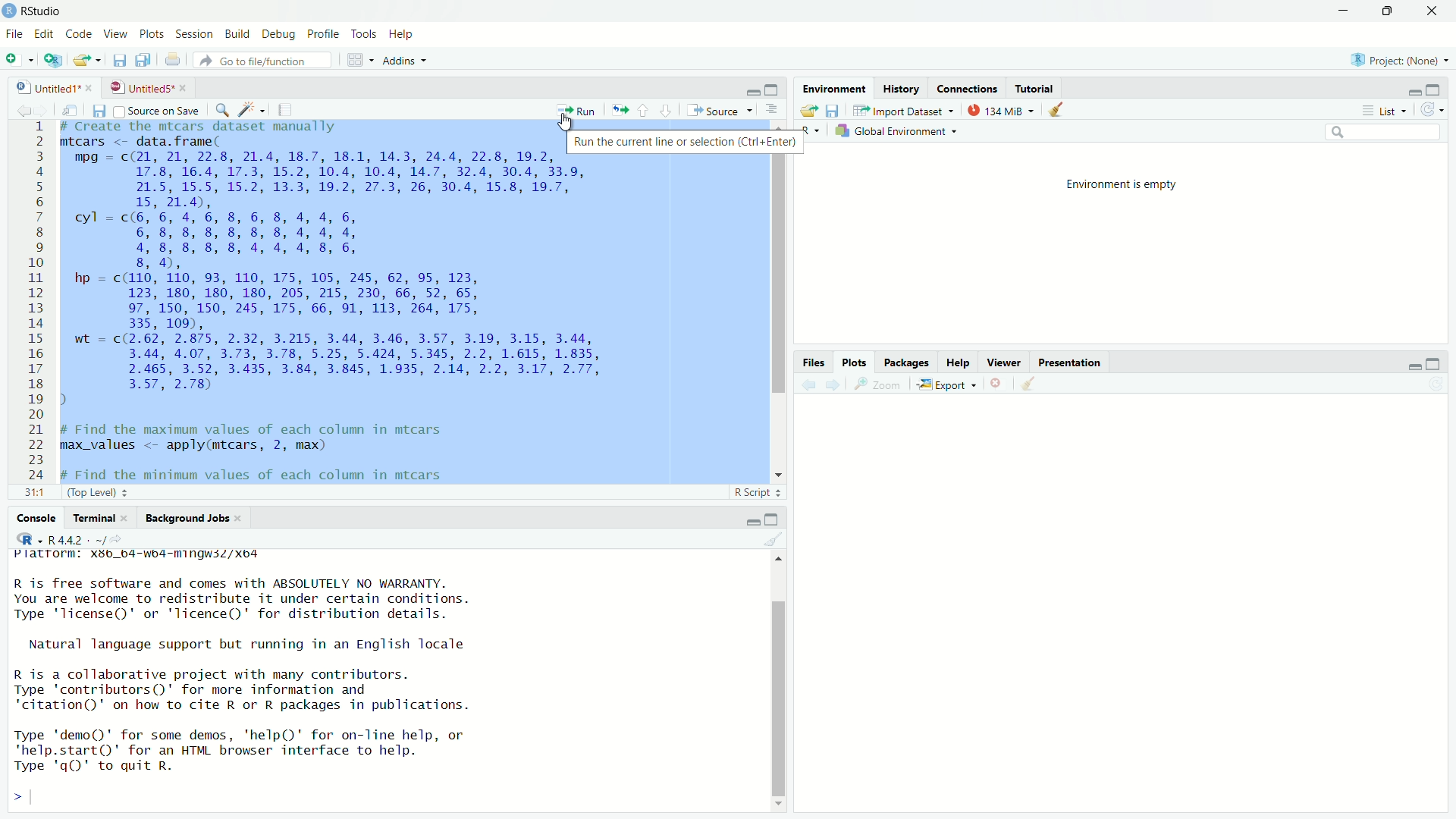 The width and height of the screenshot is (1456, 819). What do you see at coordinates (118, 33) in the screenshot?
I see `View` at bounding box center [118, 33].